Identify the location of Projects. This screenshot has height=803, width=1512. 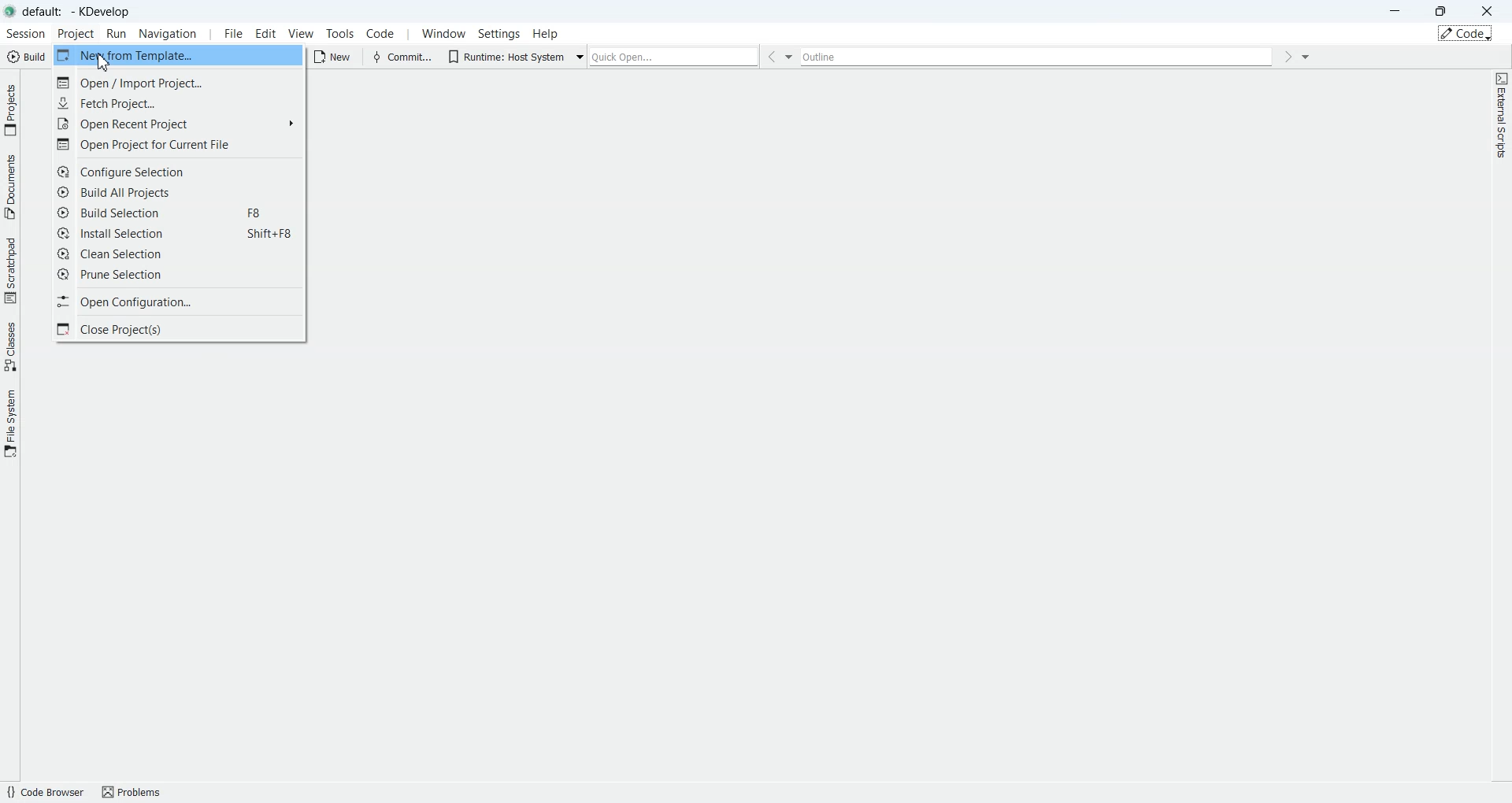
(11, 109).